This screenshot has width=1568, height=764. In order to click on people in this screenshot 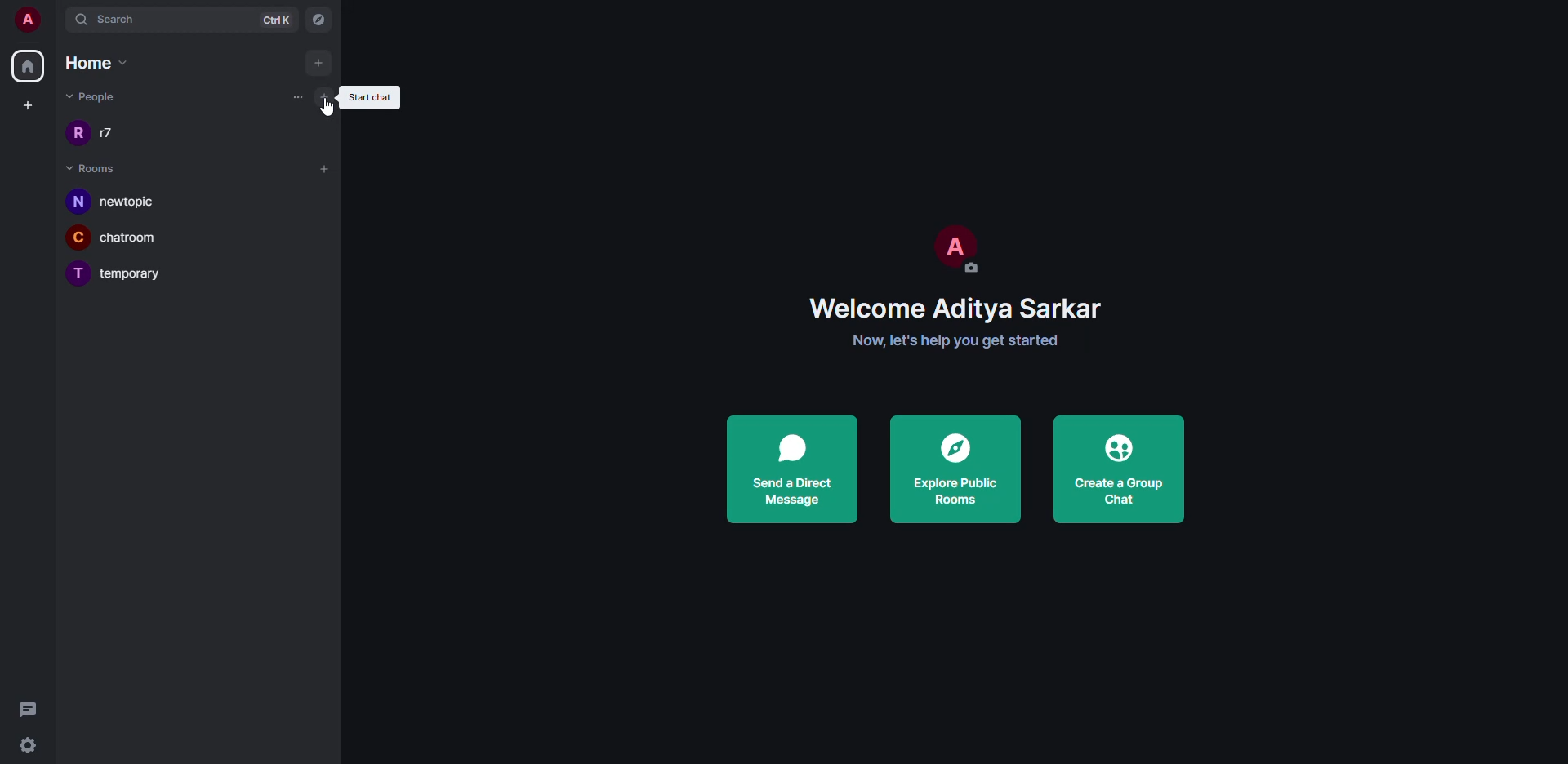, I will do `click(95, 98)`.